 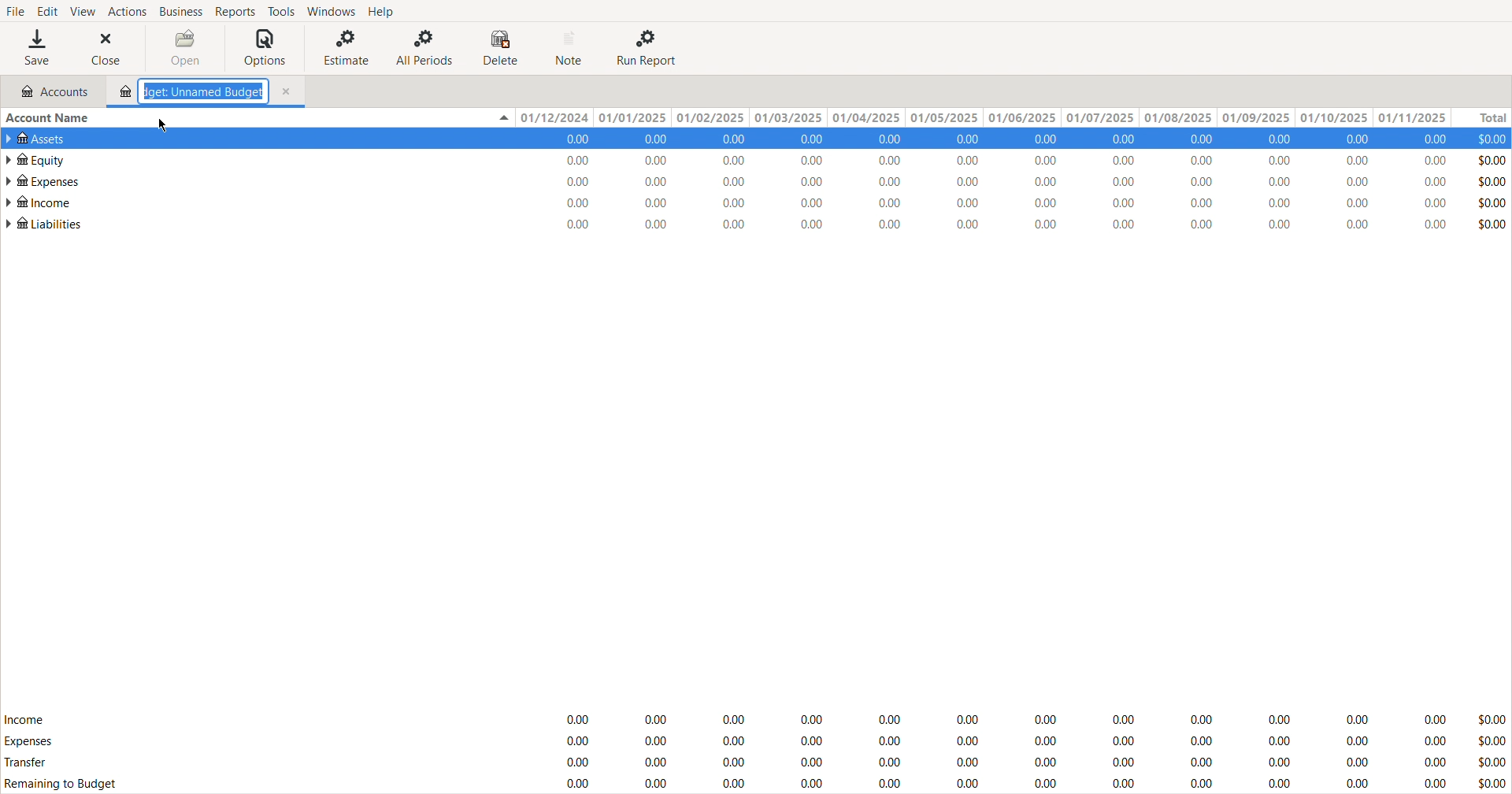 I want to click on Actions, so click(x=127, y=10).